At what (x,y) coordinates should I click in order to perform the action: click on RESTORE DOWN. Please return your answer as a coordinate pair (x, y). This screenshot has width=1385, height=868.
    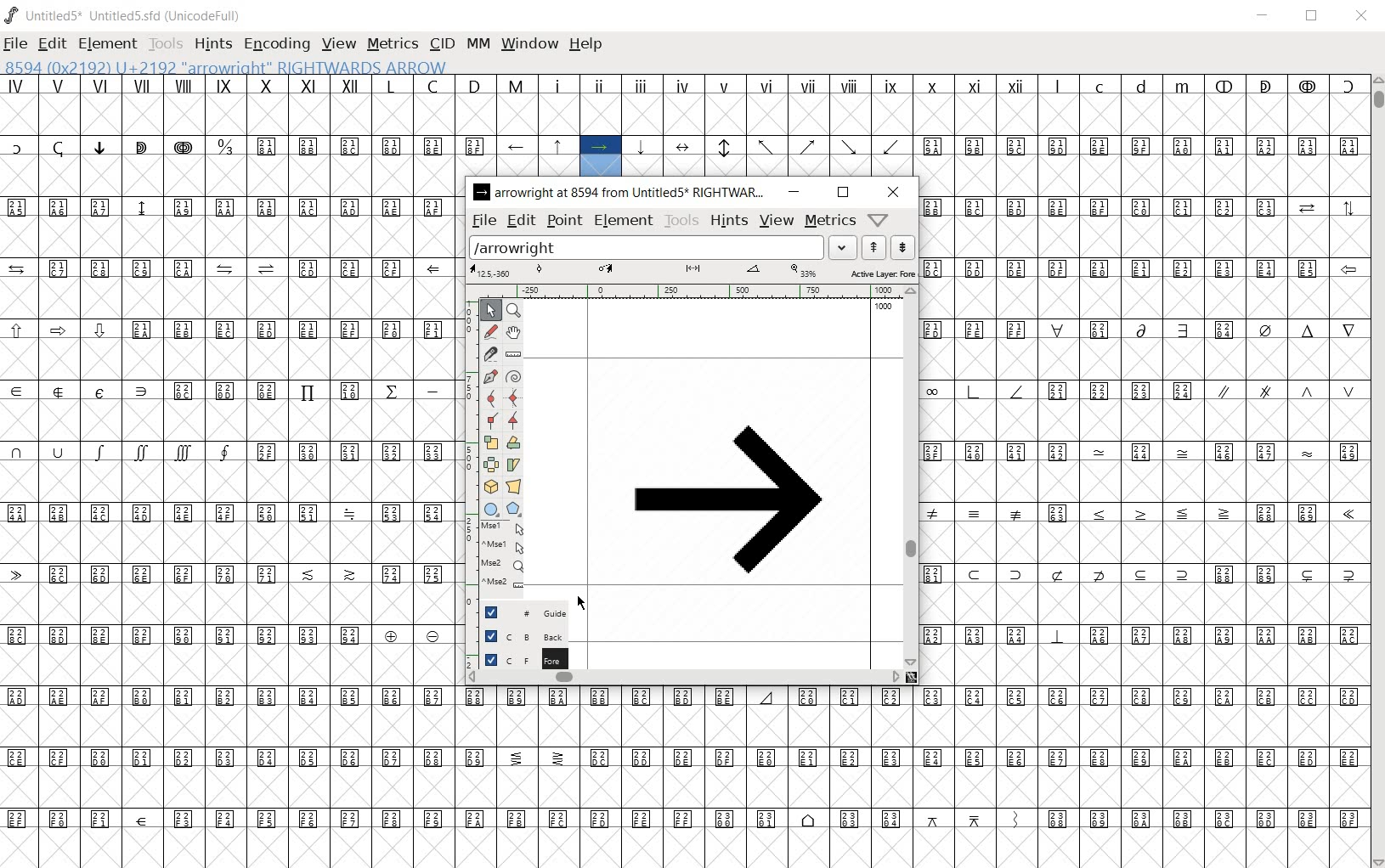
    Looking at the image, I should click on (1312, 16).